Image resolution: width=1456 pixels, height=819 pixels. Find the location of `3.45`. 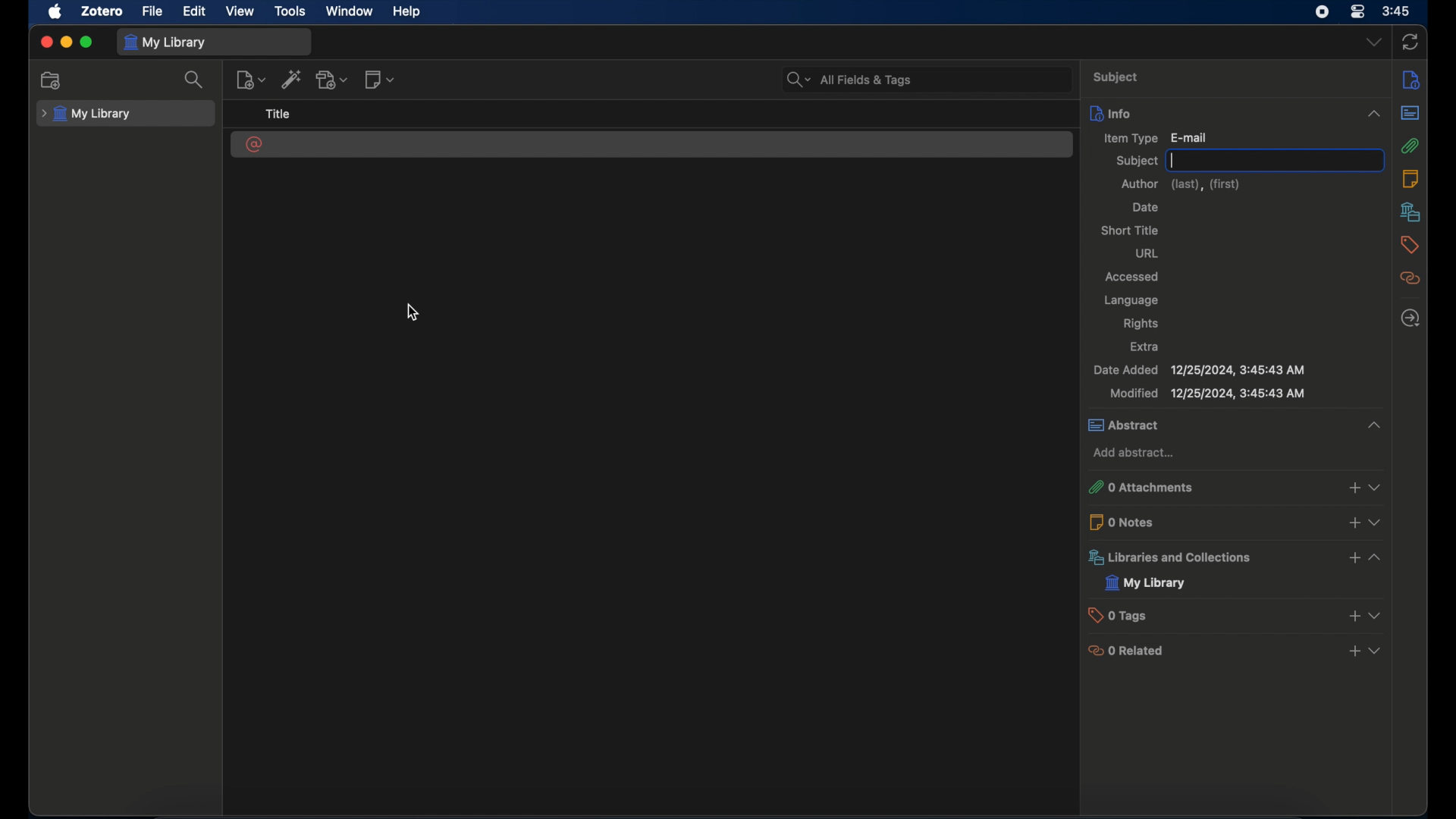

3.45 is located at coordinates (1396, 12).